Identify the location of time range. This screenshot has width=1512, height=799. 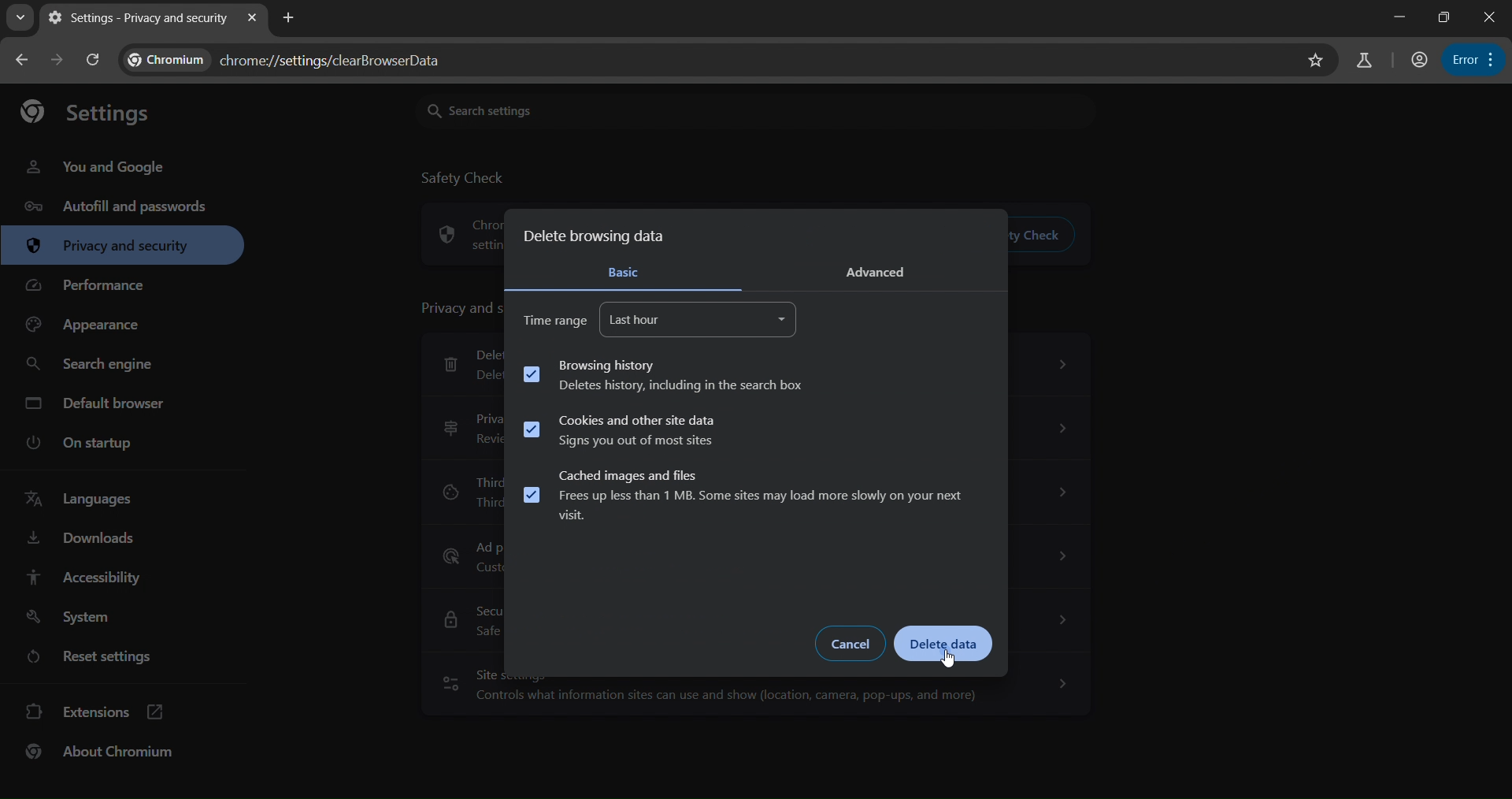
(556, 320).